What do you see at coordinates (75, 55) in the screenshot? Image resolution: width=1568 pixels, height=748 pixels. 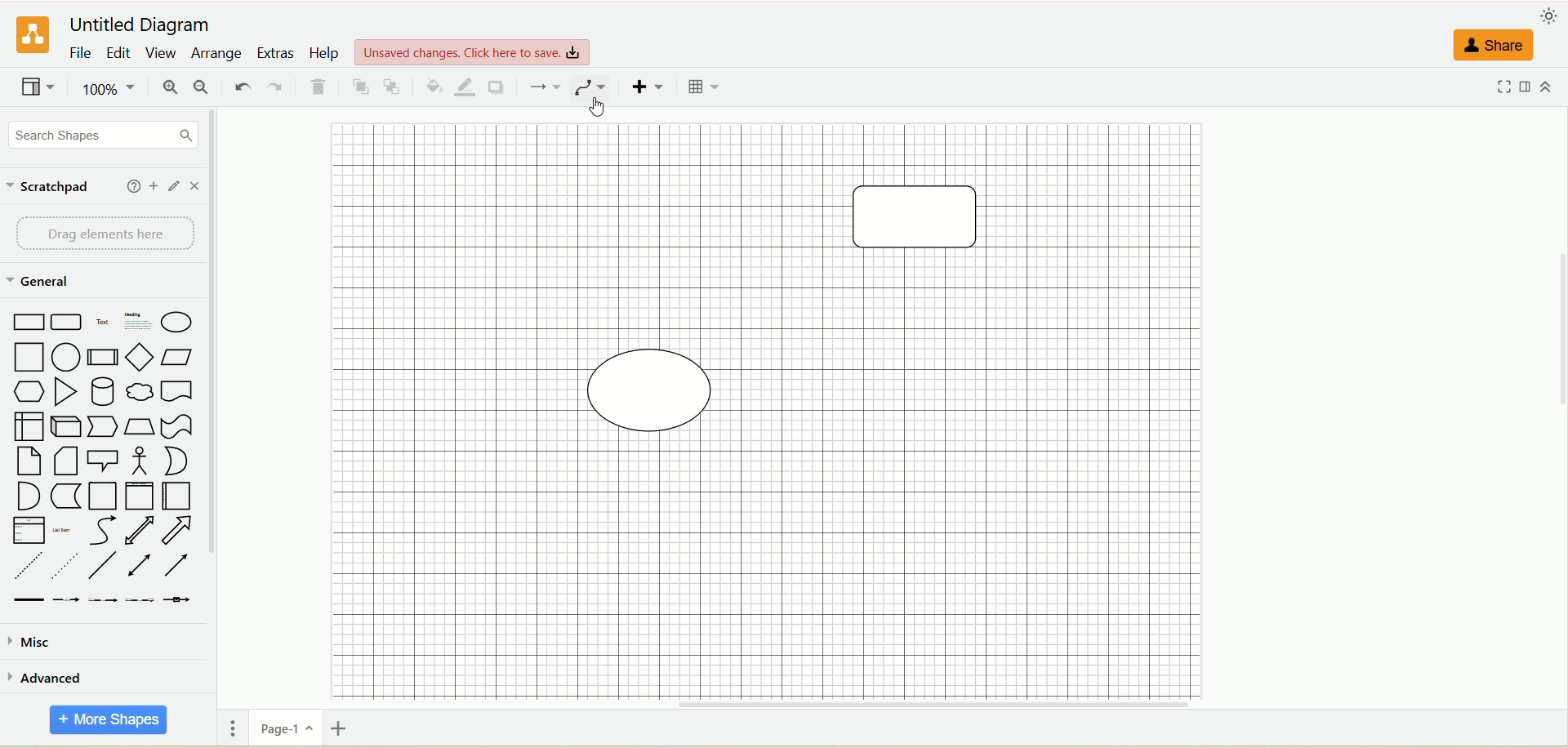 I see `file` at bounding box center [75, 55].